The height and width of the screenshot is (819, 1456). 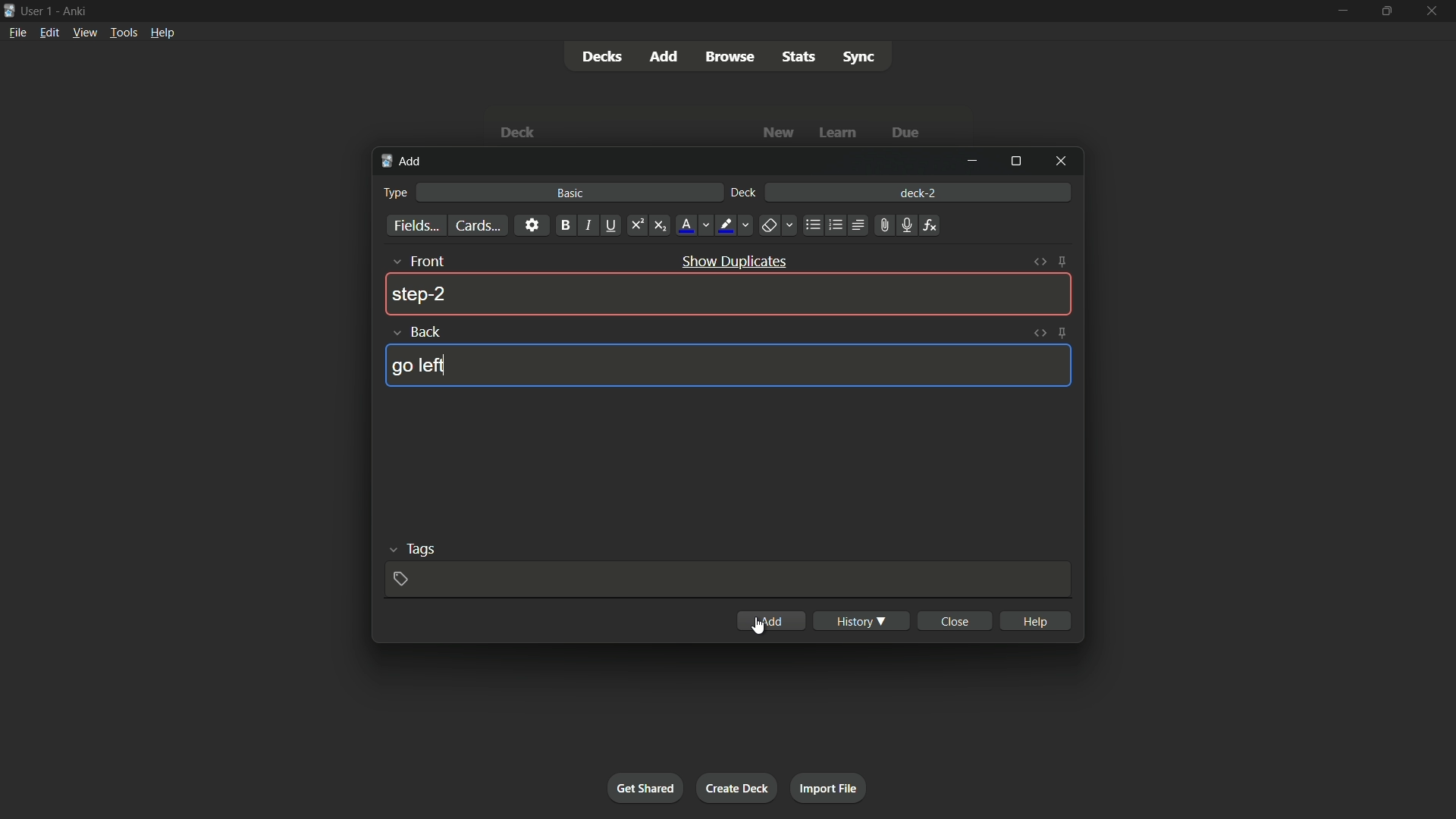 I want to click on import file, so click(x=830, y=789).